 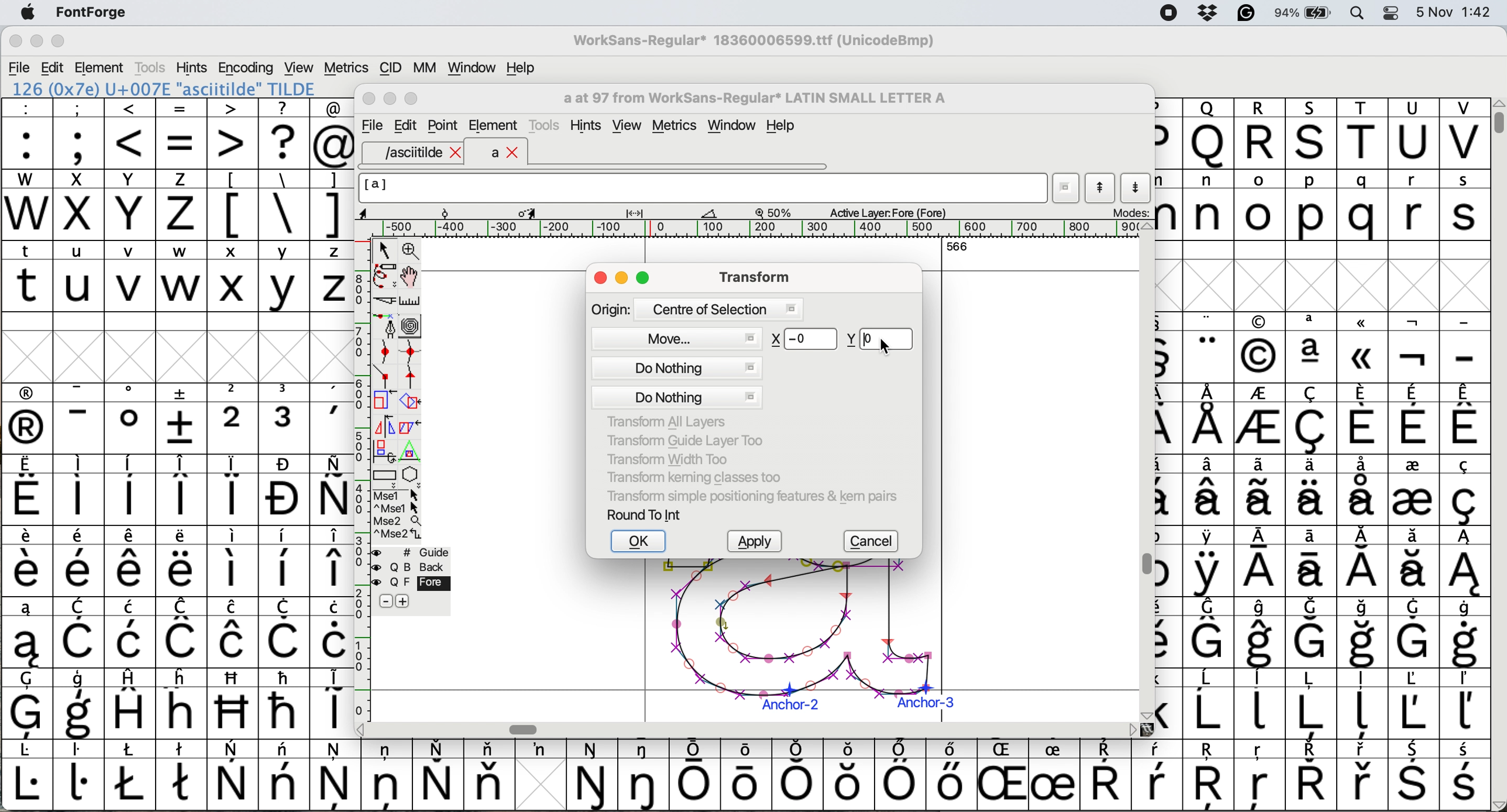 I want to click on Edit, so click(x=405, y=125).